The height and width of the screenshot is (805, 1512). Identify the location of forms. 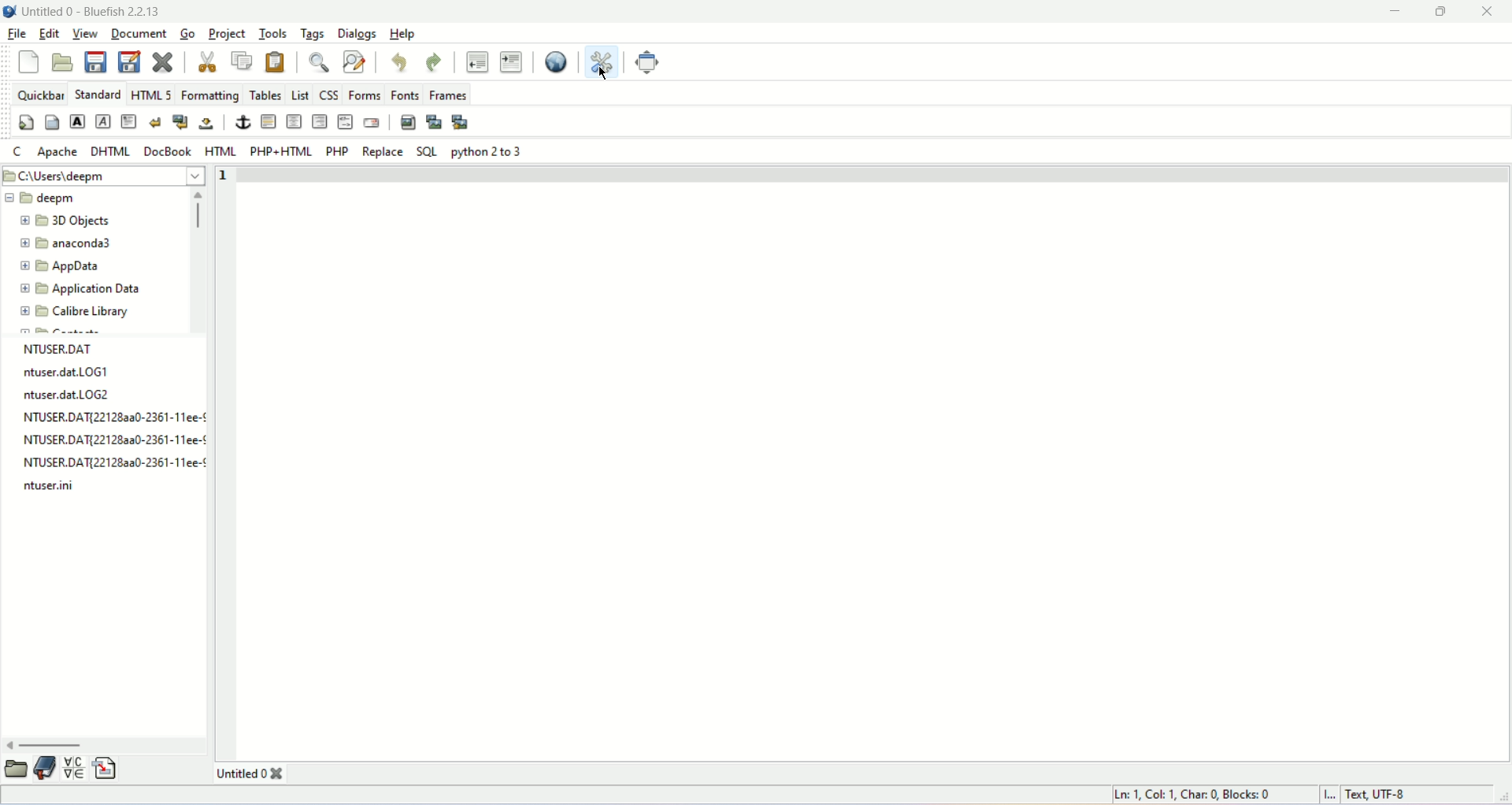
(364, 94).